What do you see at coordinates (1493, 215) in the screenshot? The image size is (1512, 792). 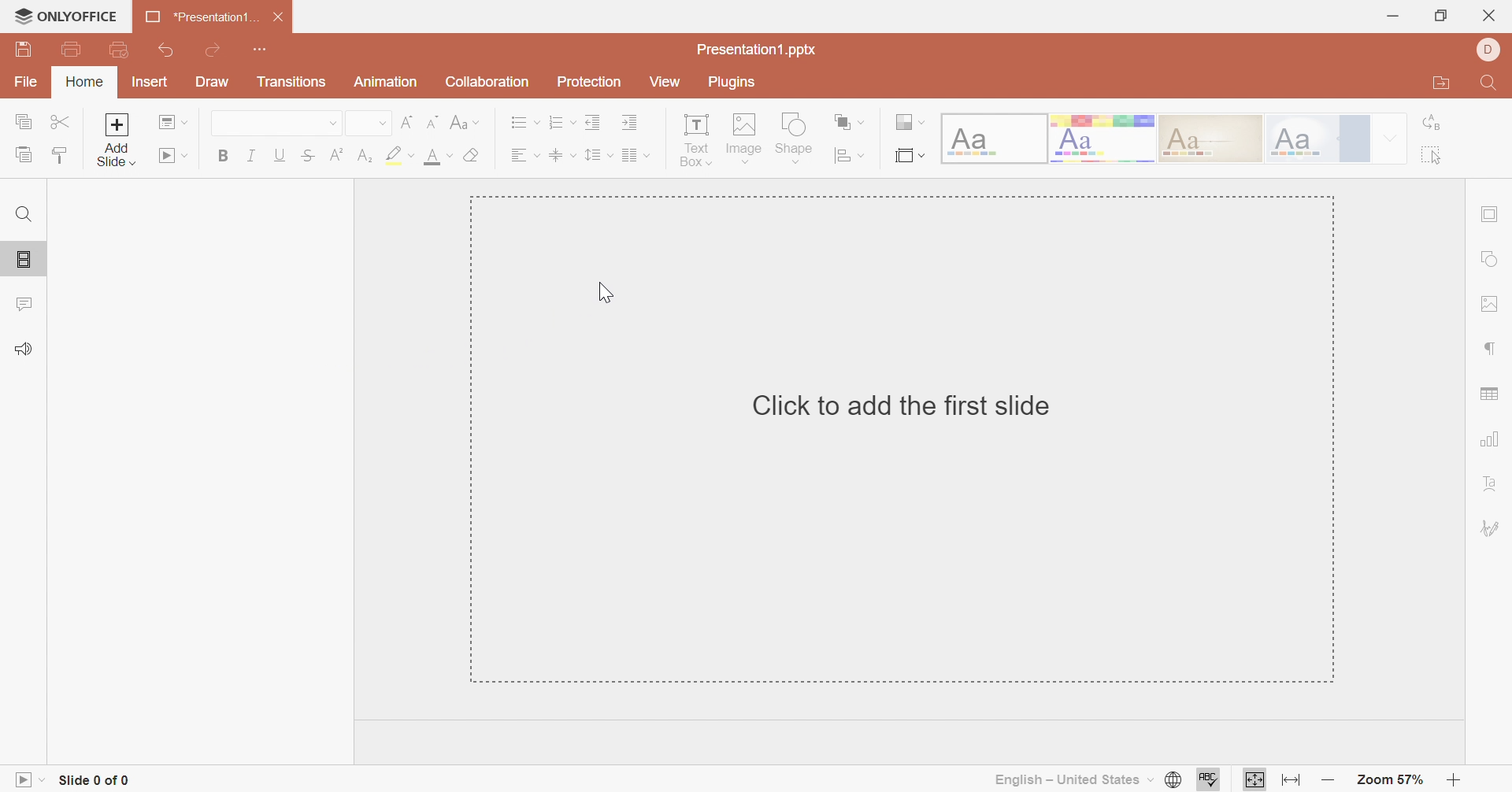 I see `Slide settings` at bounding box center [1493, 215].